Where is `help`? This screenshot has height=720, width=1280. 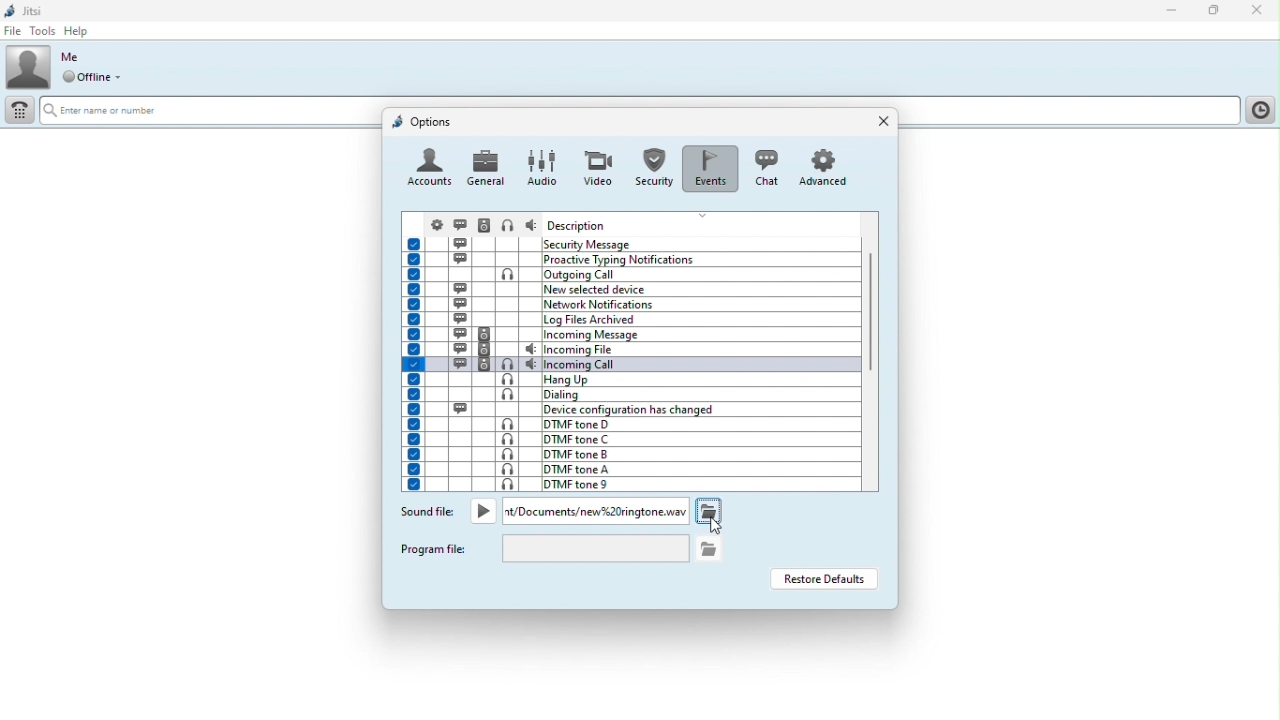 help is located at coordinates (80, 31).